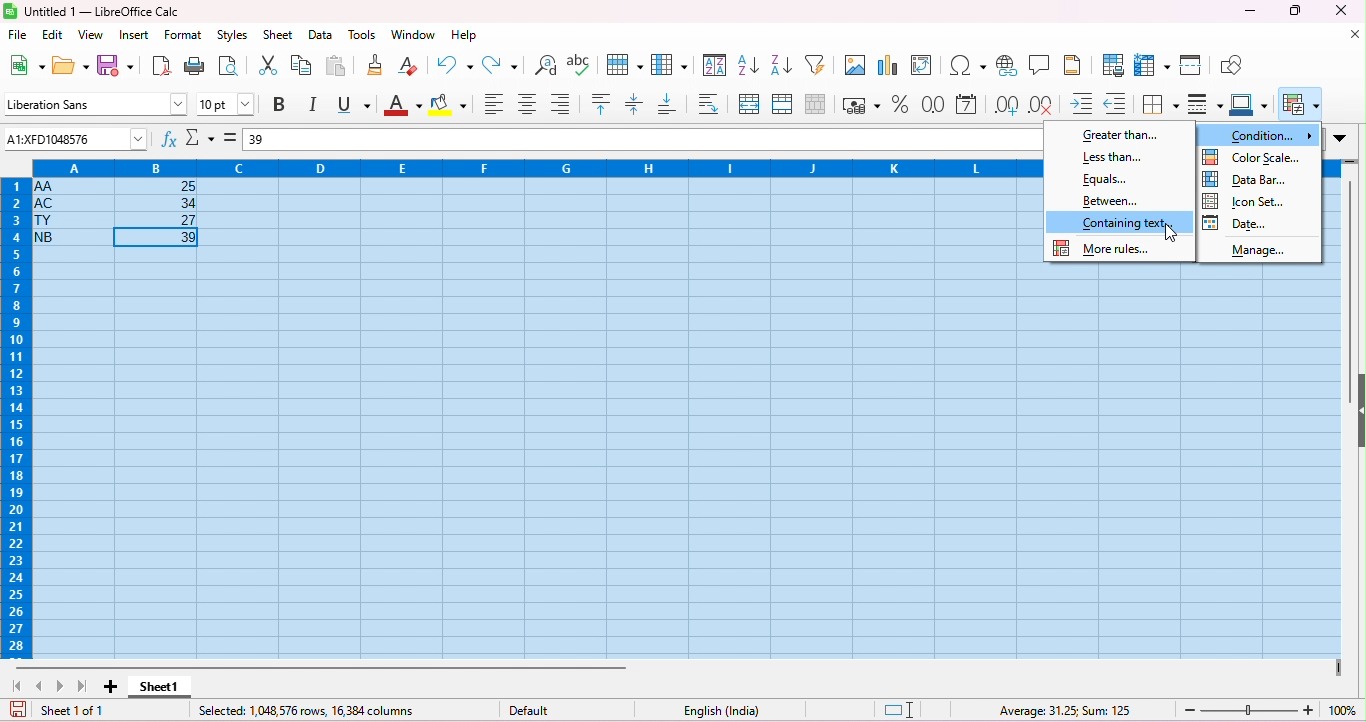  What do you see at coordinates (408, 64) in the screenshot?
I see `clear direct formatting` at bounding box center [408, 64].